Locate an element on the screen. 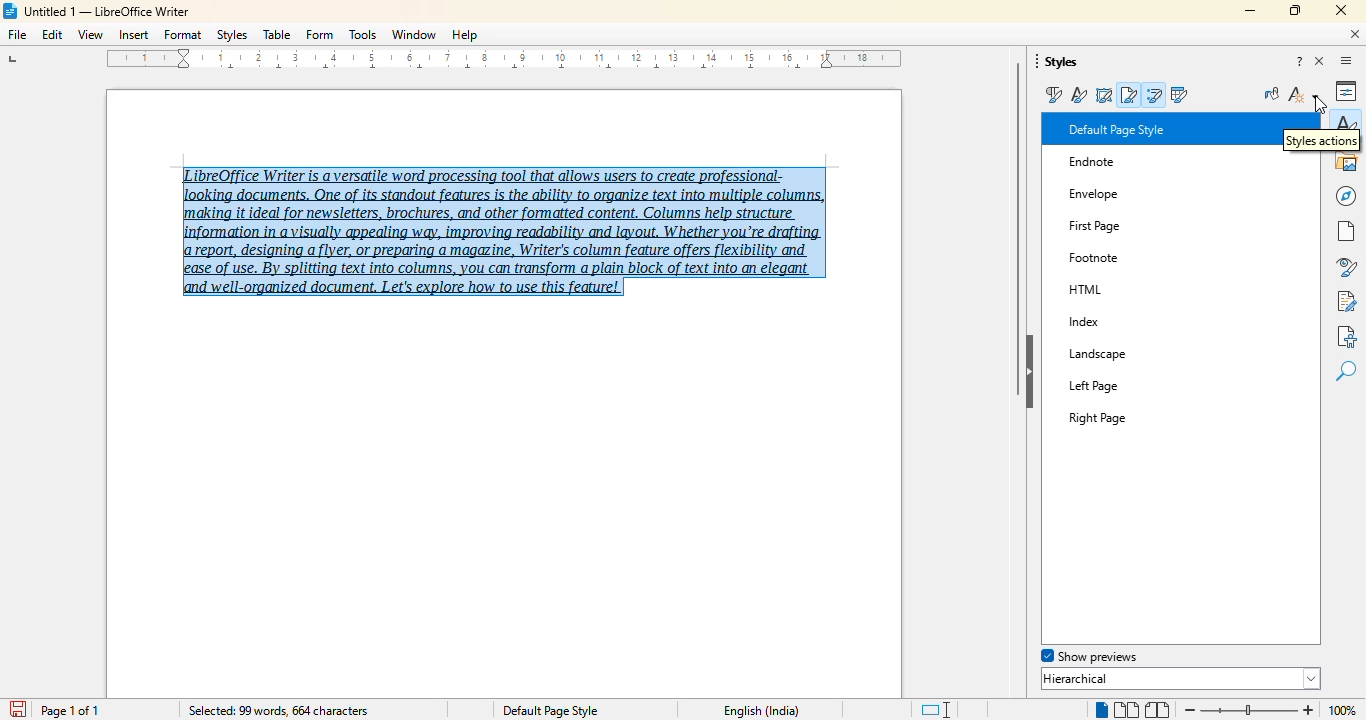 The height and width of the screenshot is (720, 1366). maximize is located at coordinates (1294, 10).